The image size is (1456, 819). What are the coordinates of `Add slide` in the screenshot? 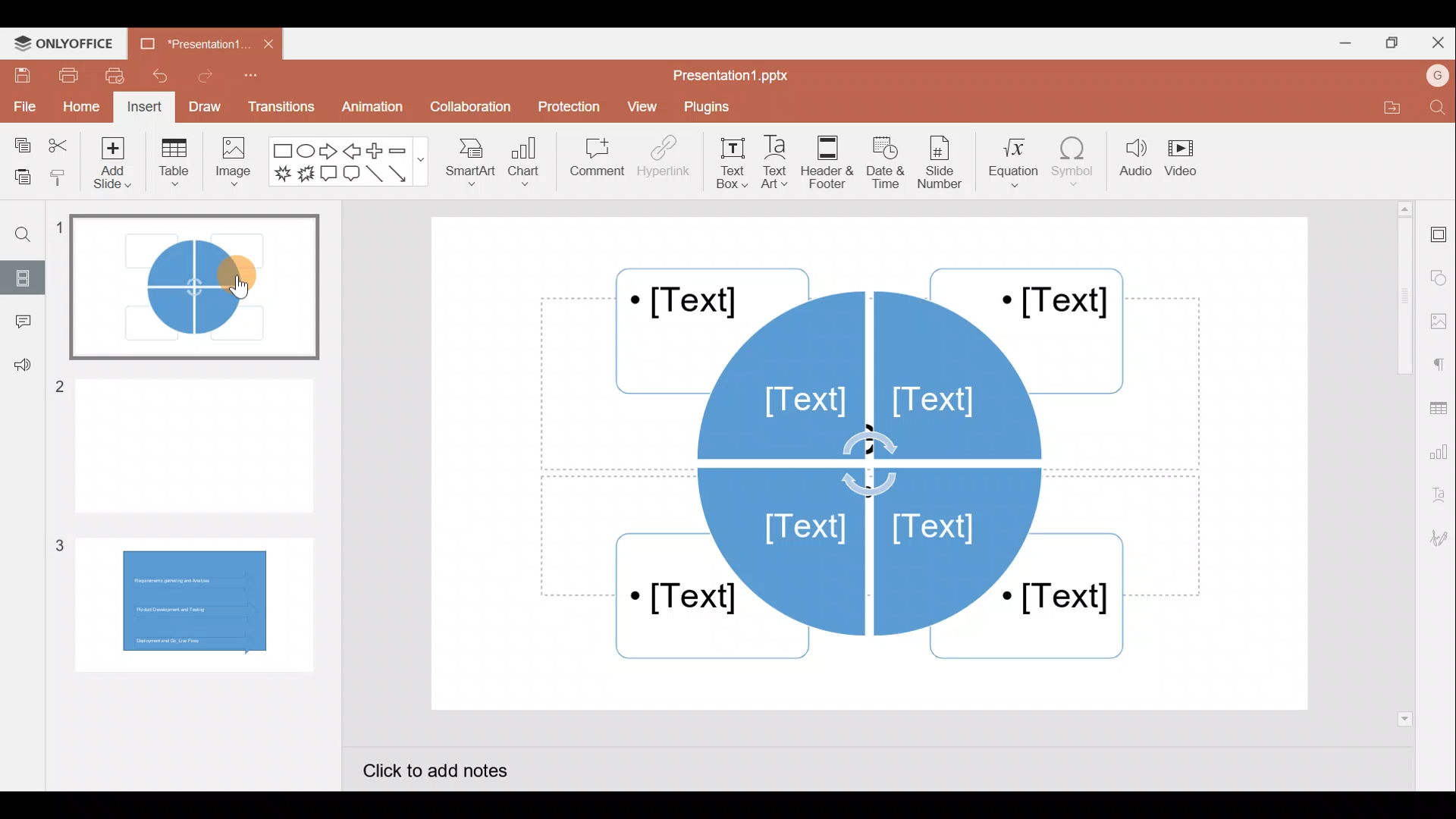 It's located at (109, 165).